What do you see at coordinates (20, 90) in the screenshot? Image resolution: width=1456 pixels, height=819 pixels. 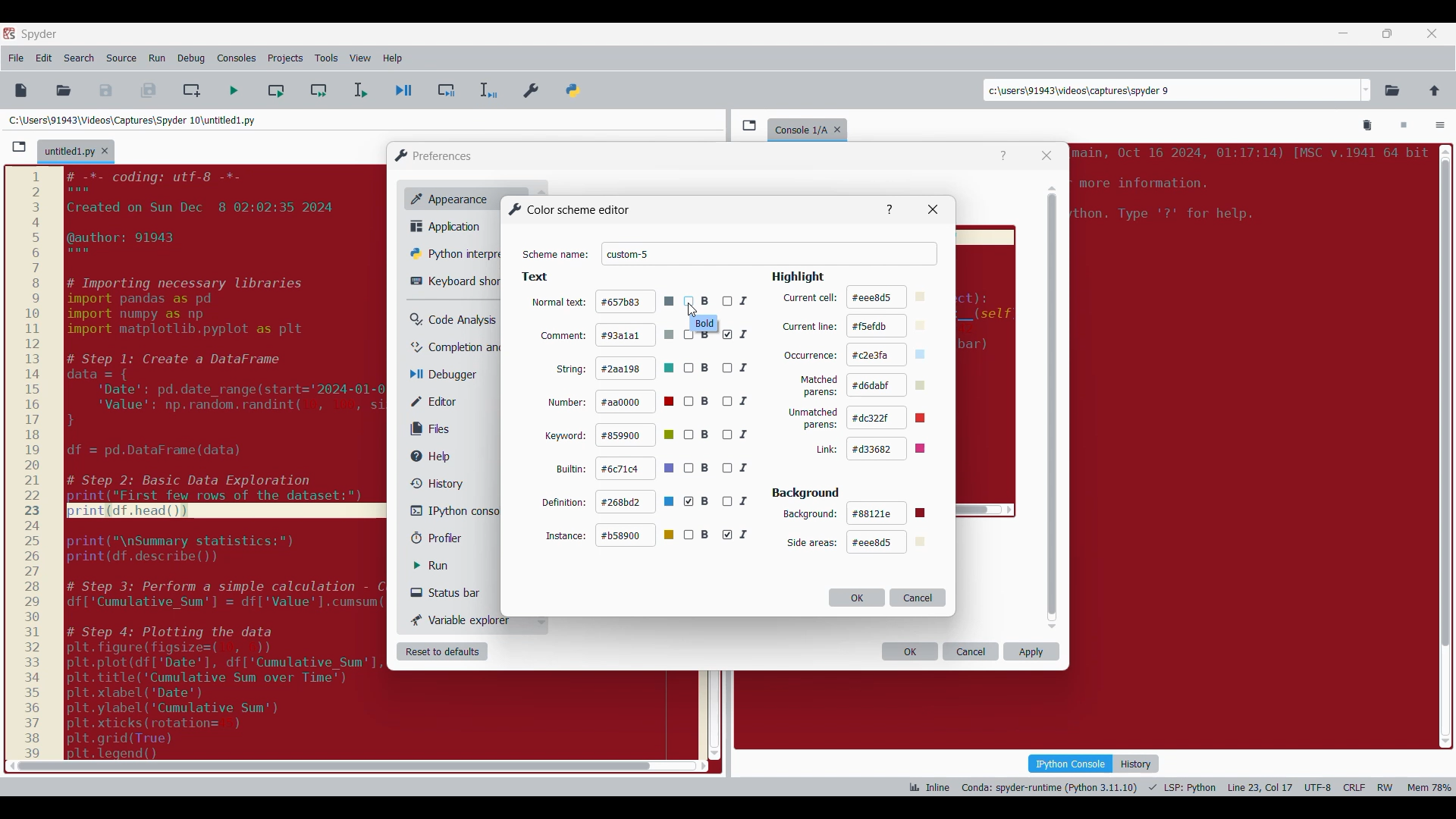 I see `New file` at bounding box center [20, 90].